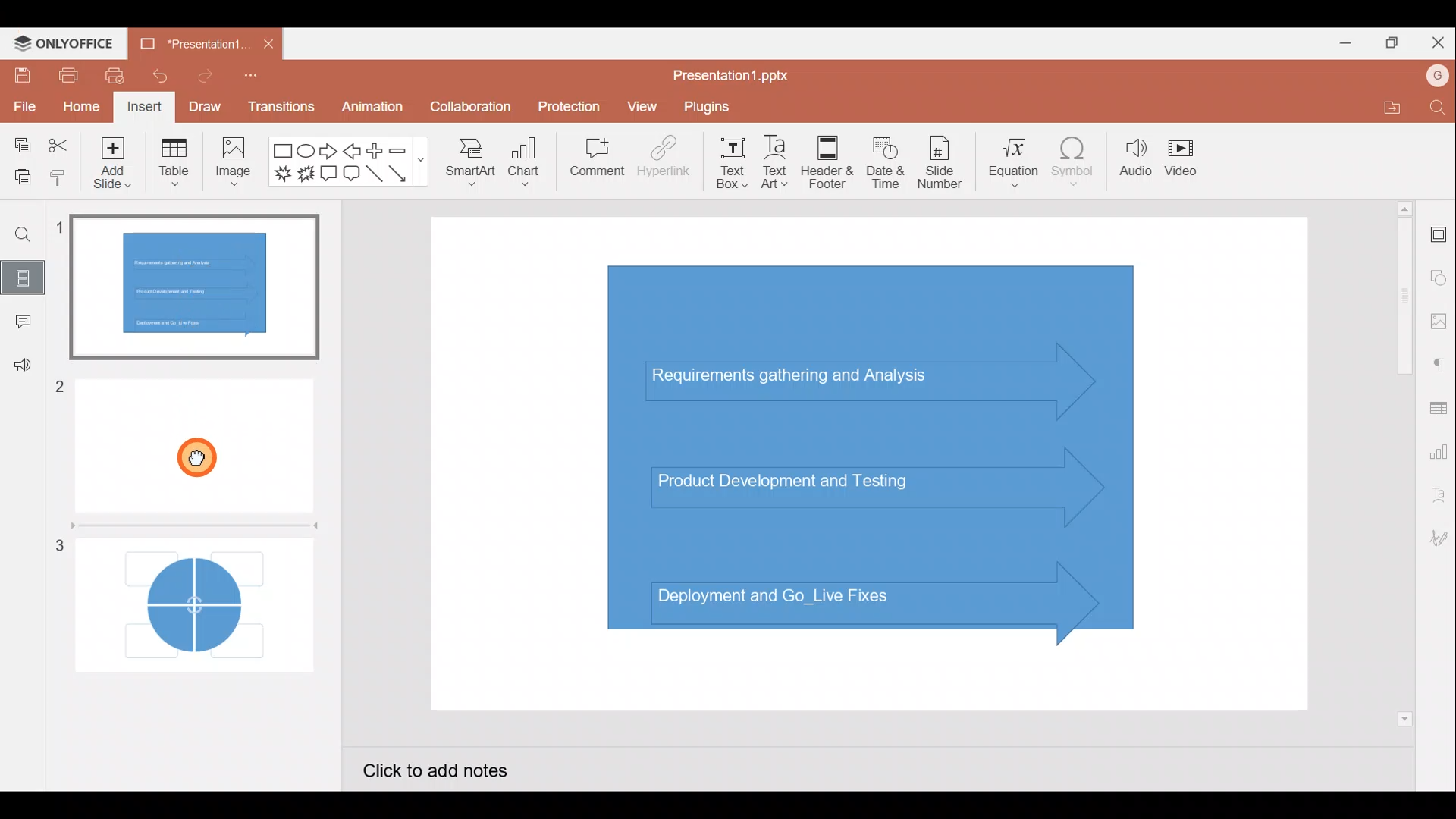  What do you see at coordinates (889, 162) in the screenshot?
I see `Date & time` at bounding box center [889, 162].